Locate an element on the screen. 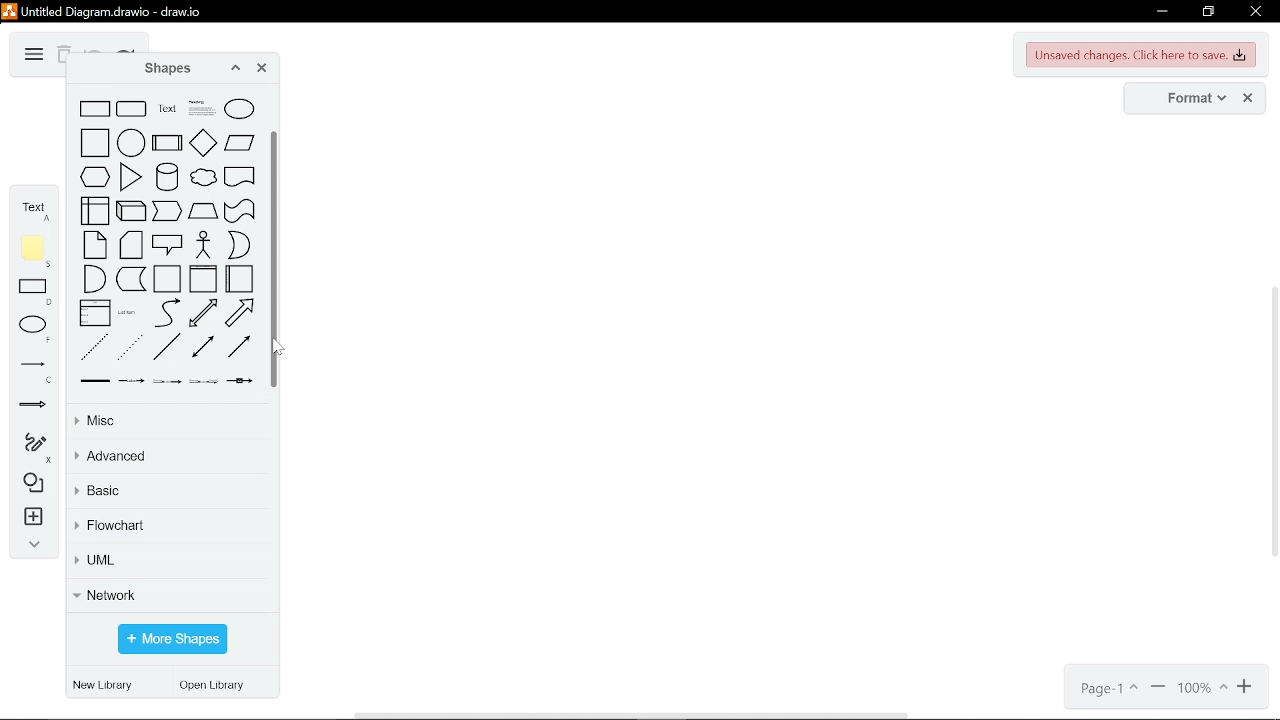 This screenshot has width=1280, height=720. diagram is located at coordinates (32, 55).